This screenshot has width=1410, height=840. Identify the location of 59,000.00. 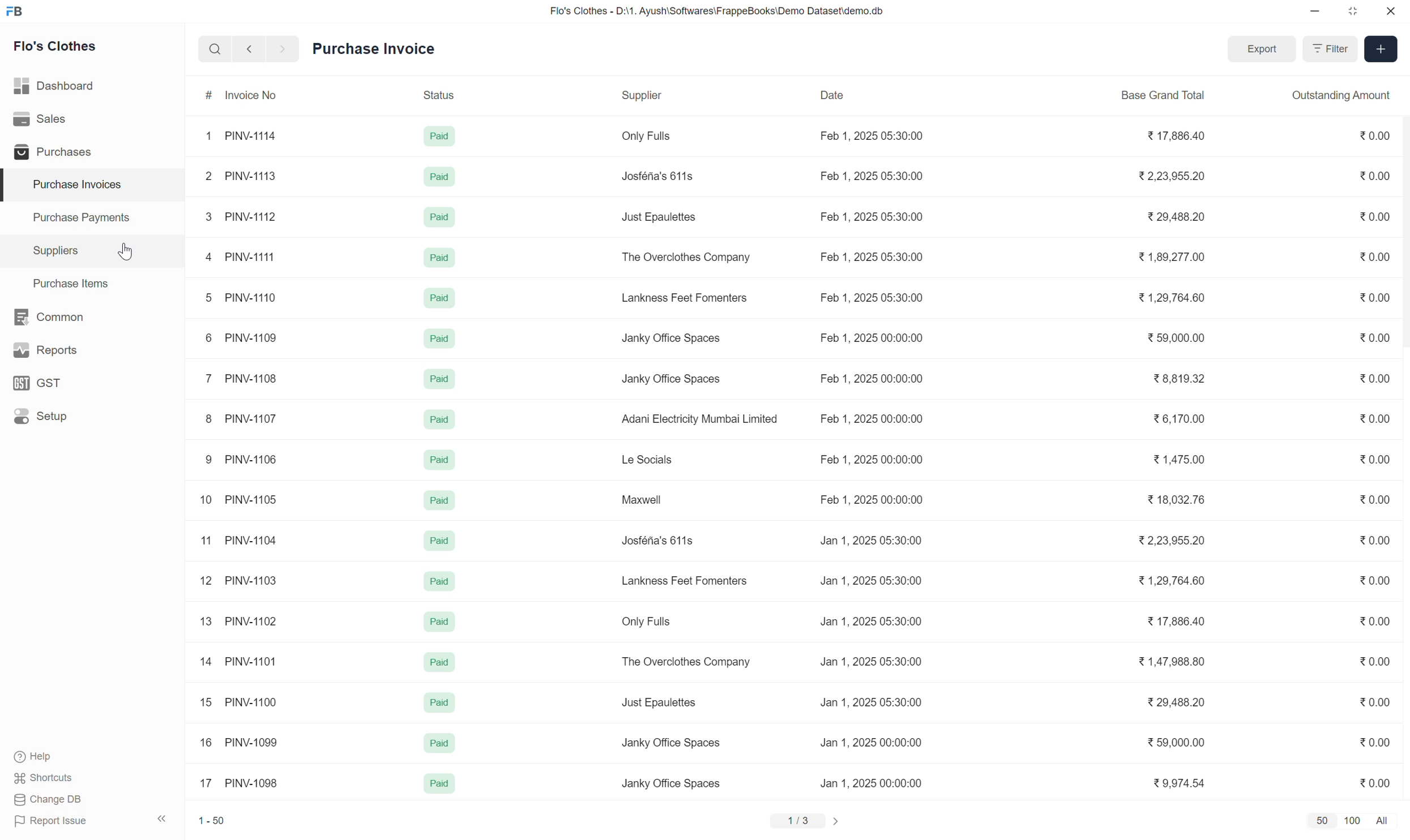
(1177, 742).